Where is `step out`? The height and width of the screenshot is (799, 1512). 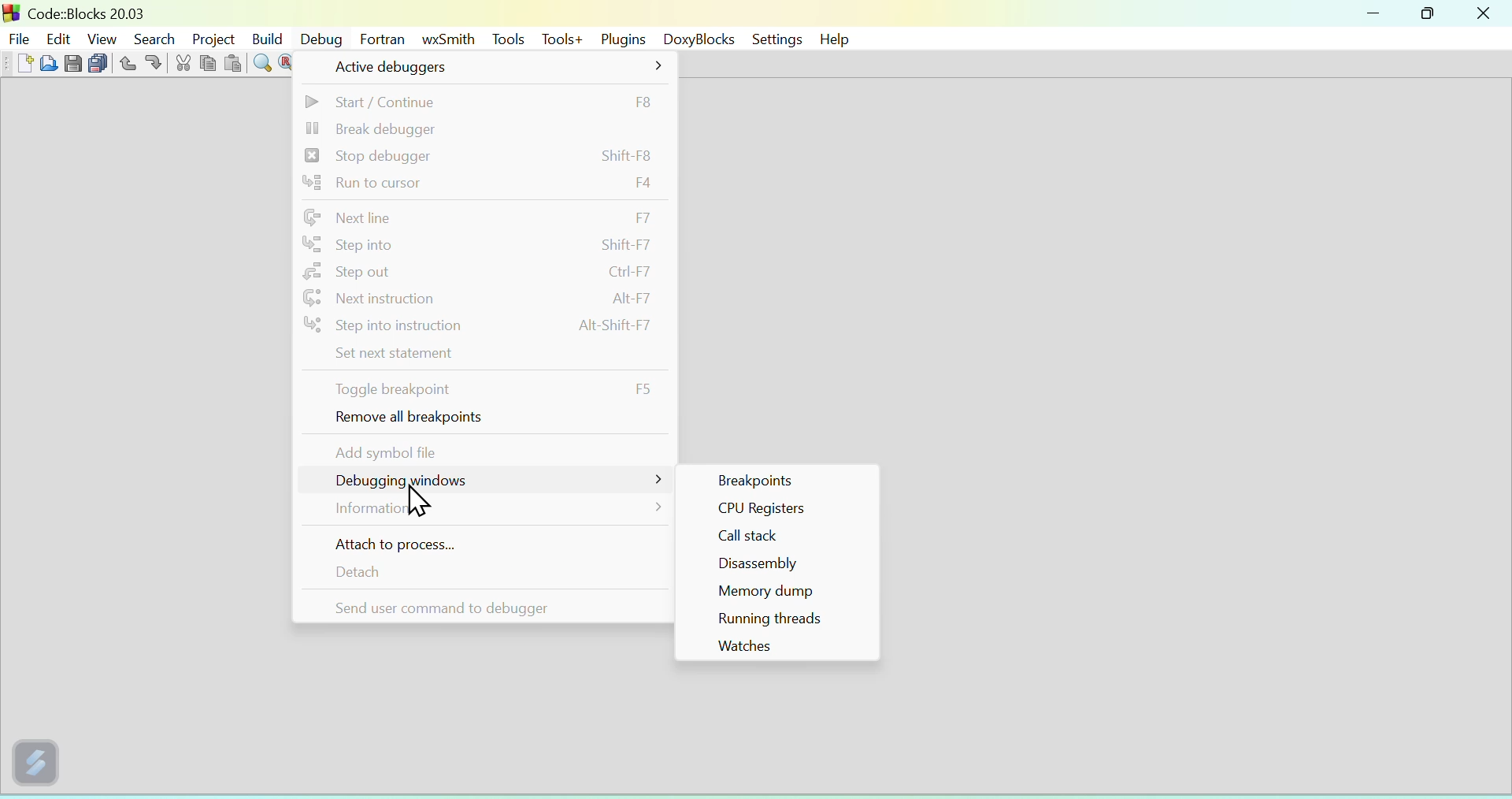 step out is located at coordinates (480, 273).